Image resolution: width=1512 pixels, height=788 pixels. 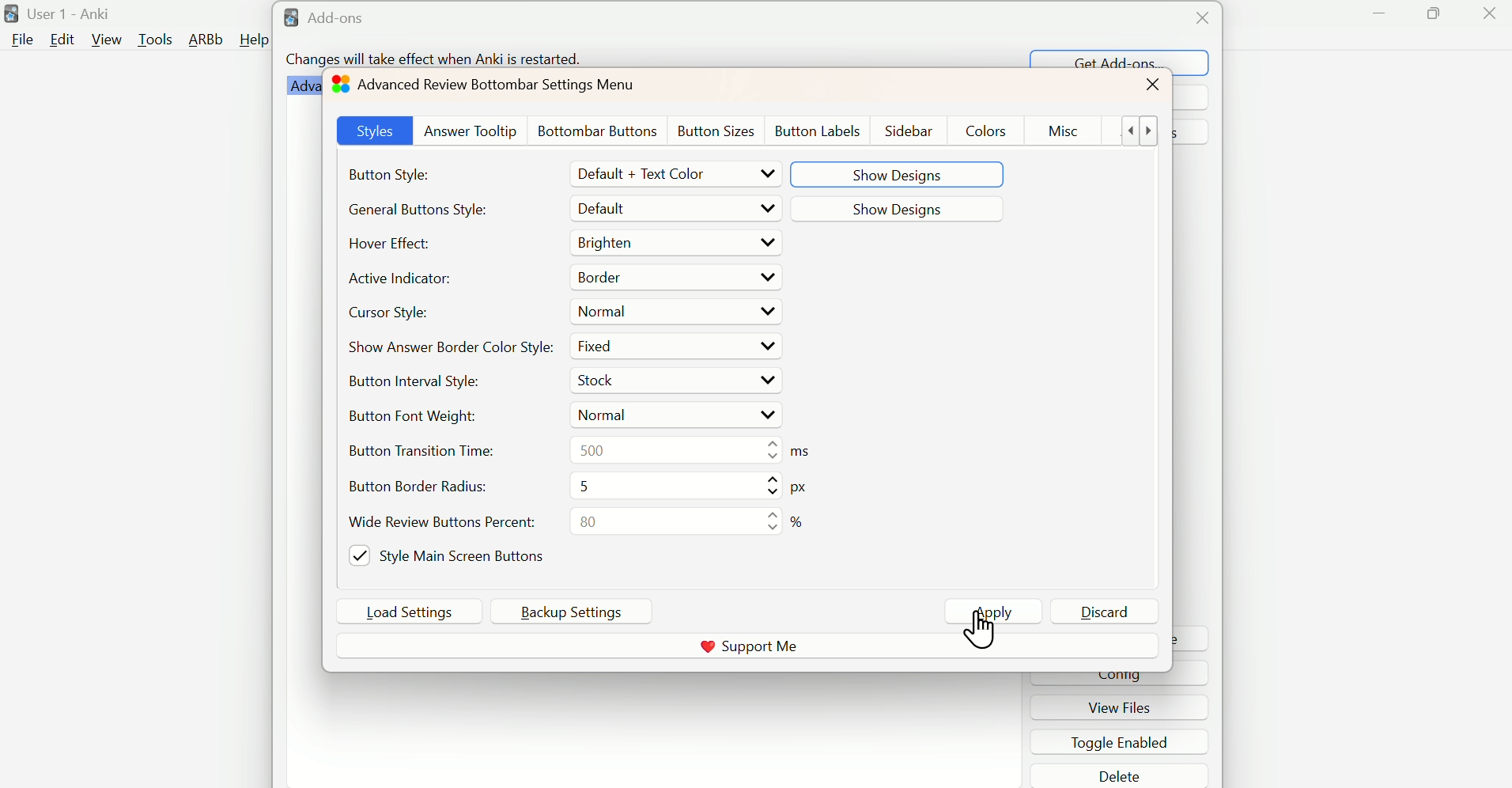 I want to click on Advanced Review Bottombar Settings Menu, so click(x=484, y=87).